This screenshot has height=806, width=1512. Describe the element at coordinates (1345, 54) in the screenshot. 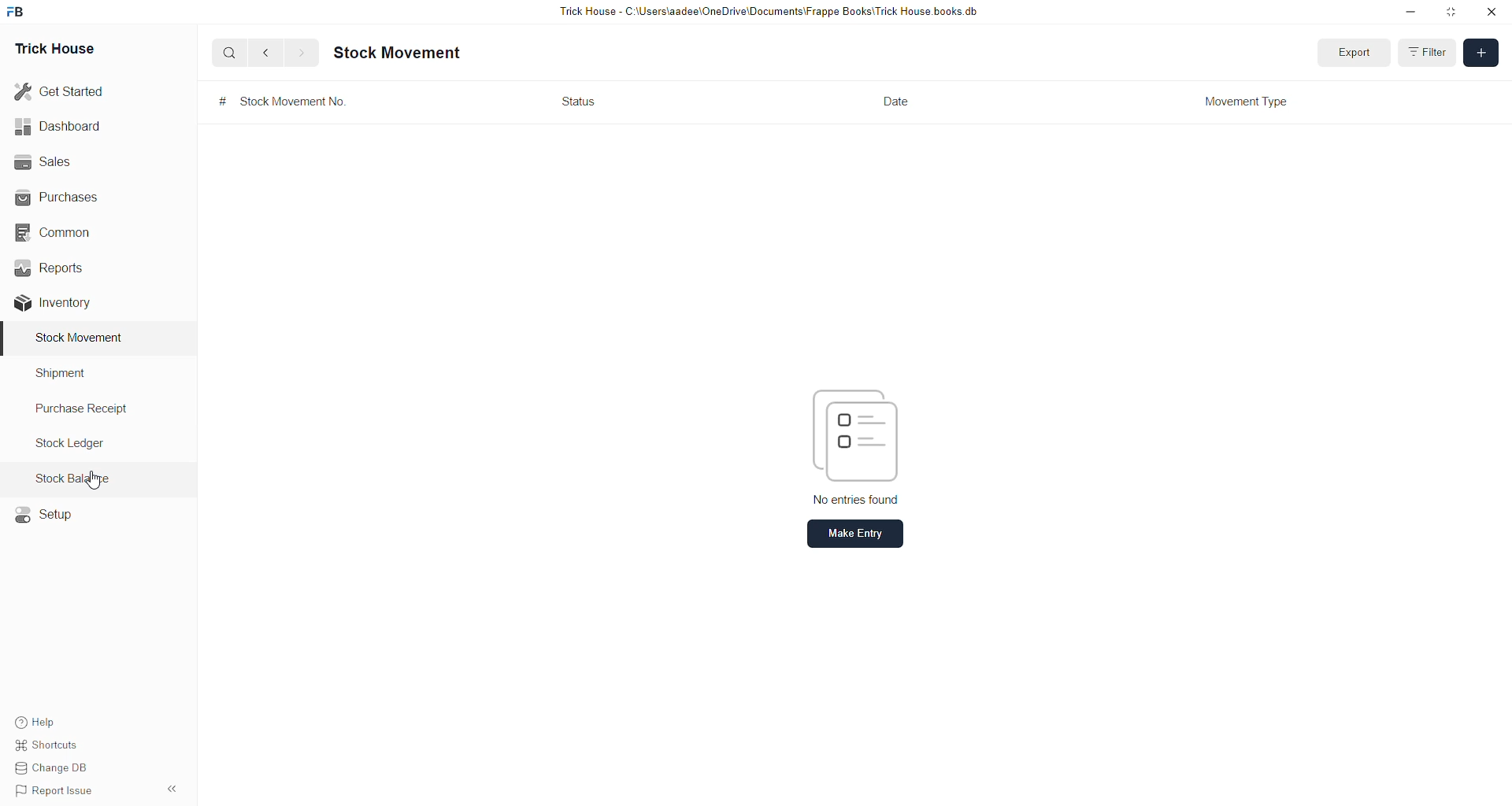

I see `Export` at that location.